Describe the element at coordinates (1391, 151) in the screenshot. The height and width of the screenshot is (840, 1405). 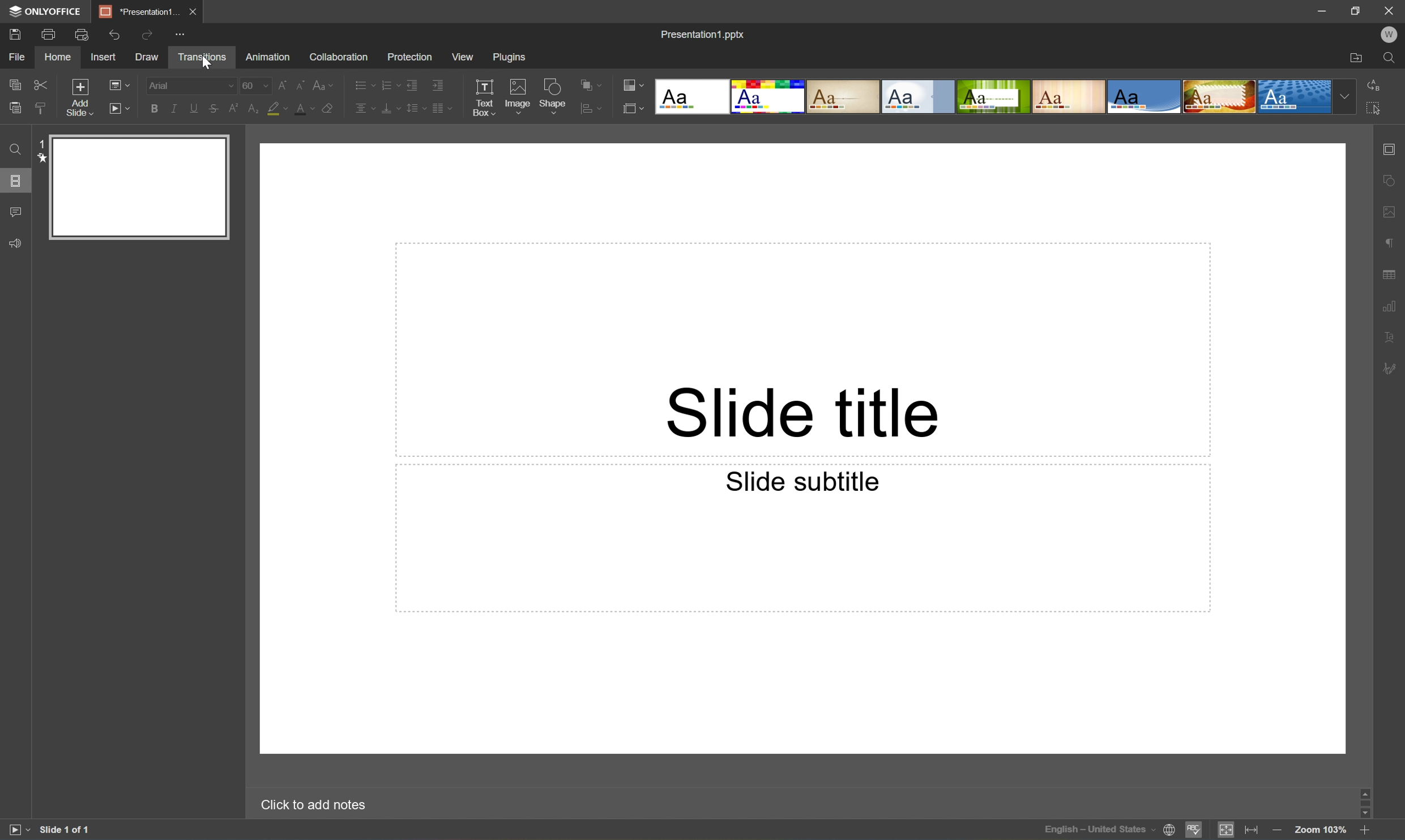
I see `Slide settings` at that location.